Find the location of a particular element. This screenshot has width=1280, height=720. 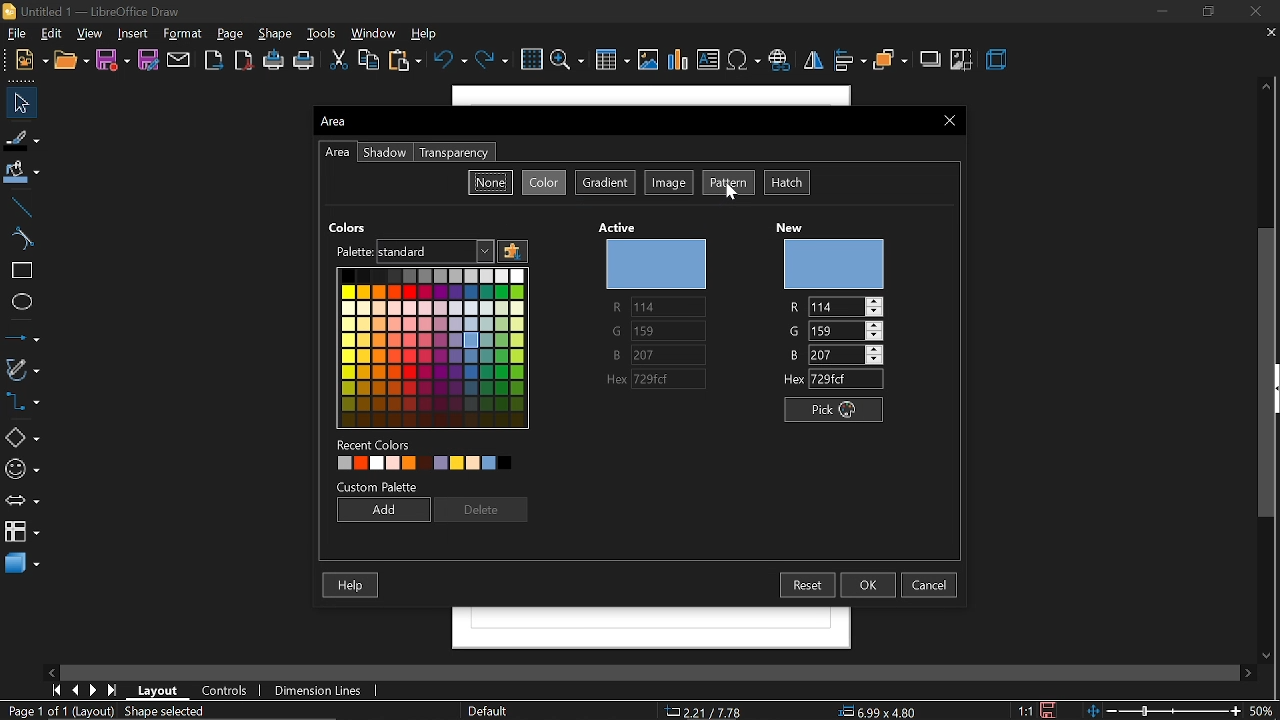

cancel is located at coordinates (930, 584).